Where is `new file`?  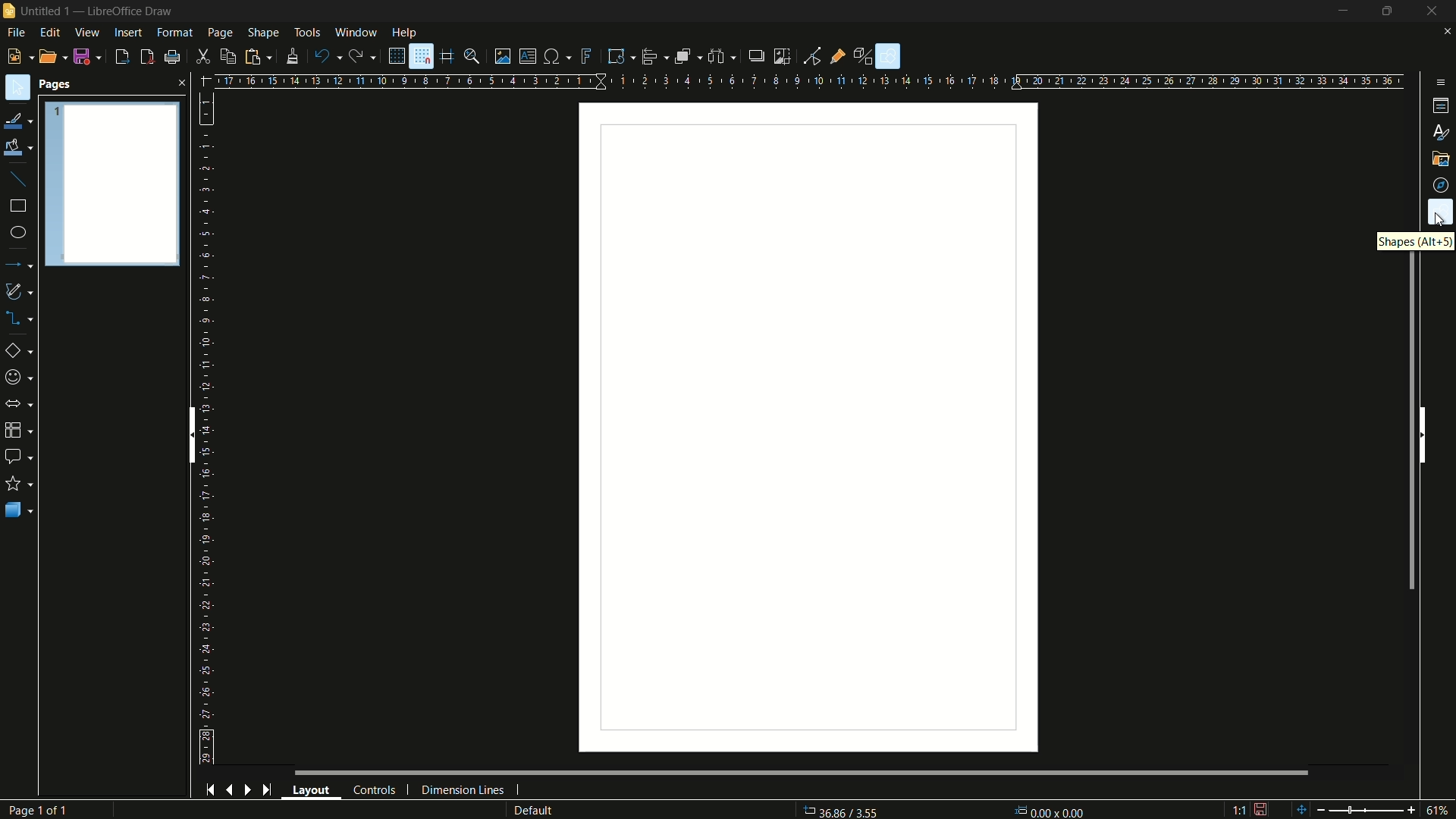 new file is located at coordinates (18, 57).